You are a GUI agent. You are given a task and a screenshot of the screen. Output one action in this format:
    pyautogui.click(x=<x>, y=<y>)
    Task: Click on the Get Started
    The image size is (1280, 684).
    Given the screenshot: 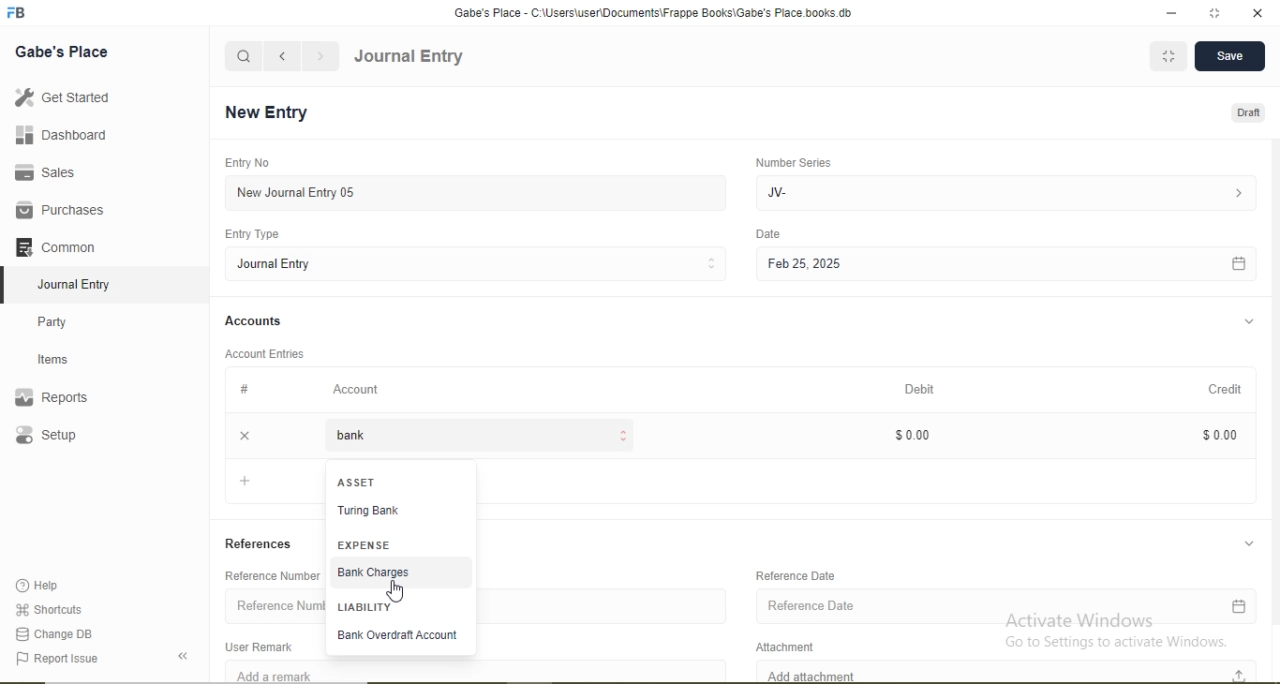 What is the action you would take?
    pyautogui.click(x=60, y=97)
    